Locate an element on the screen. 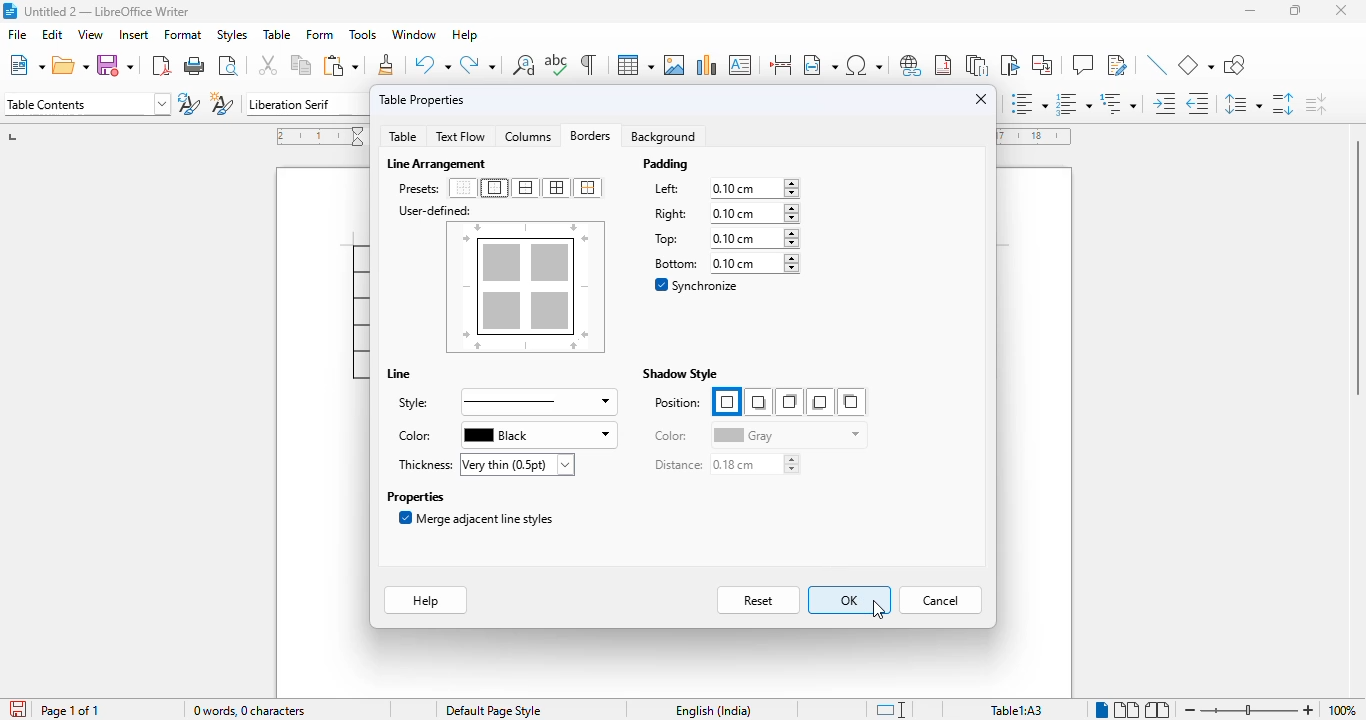 This screenshot has width=1366, height=720. font name is located at coordinates (306, 105).